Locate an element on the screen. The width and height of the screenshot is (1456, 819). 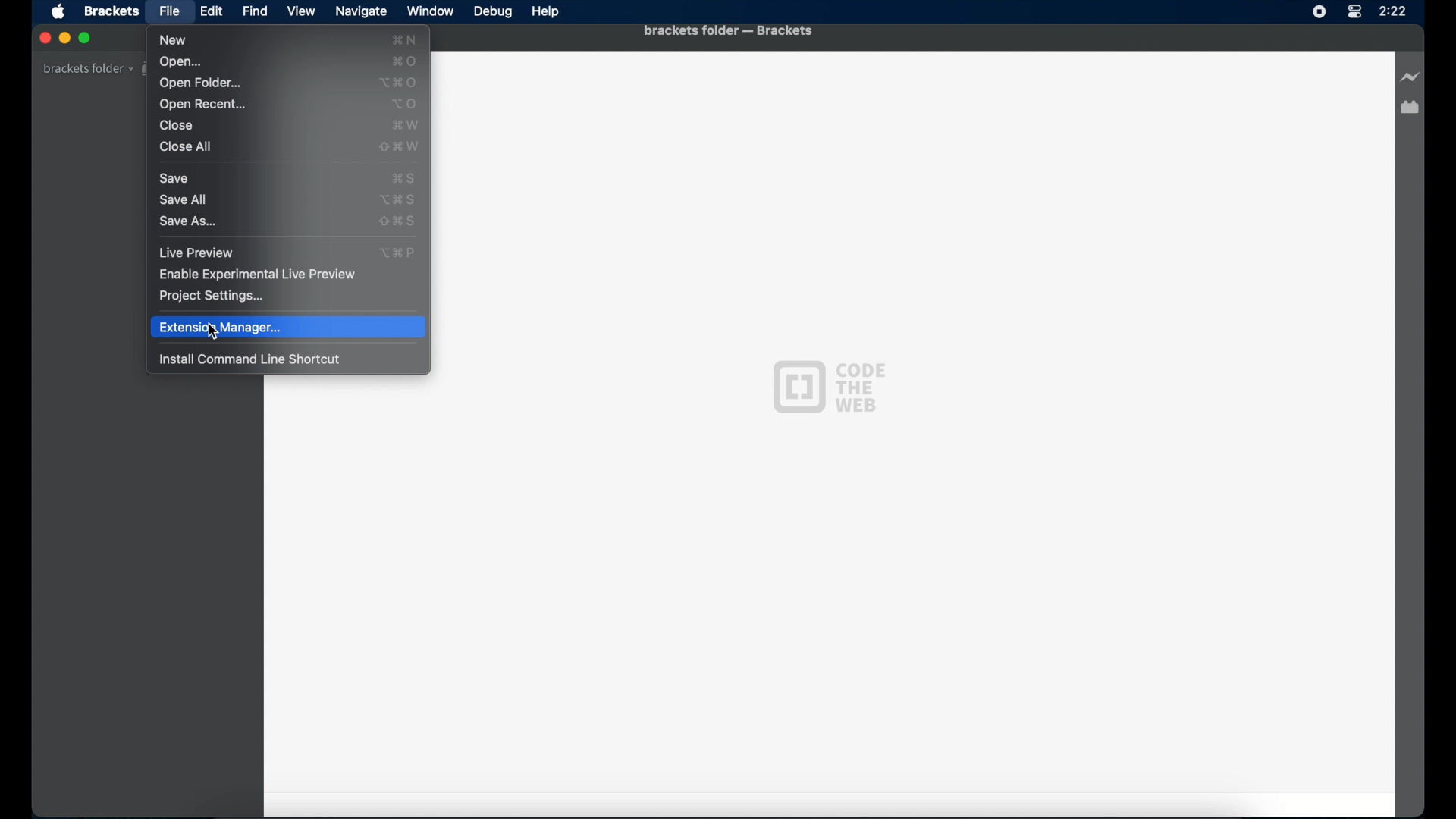
minimize is located at coordinates (64, 37).